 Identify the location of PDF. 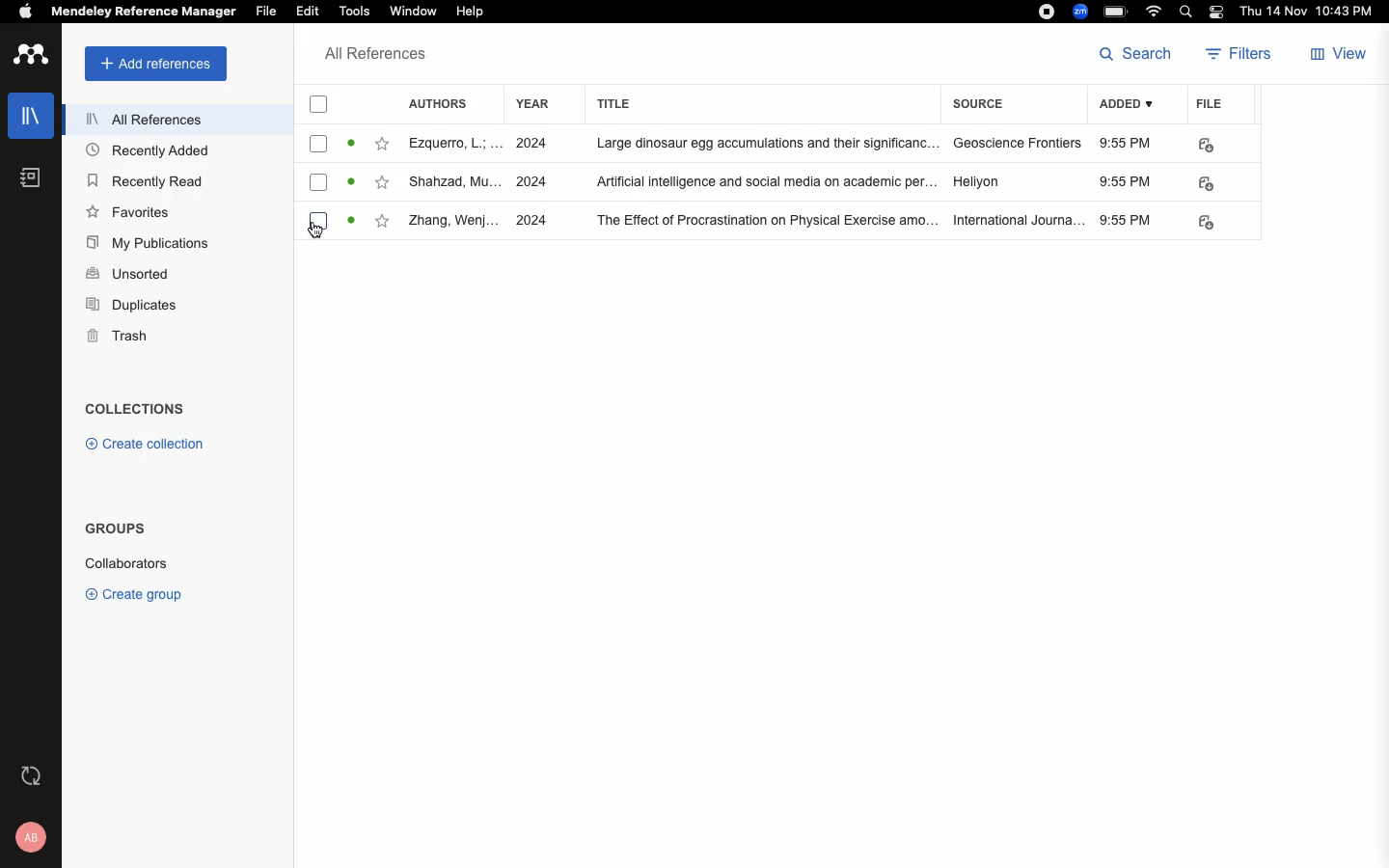
(1204, 222).